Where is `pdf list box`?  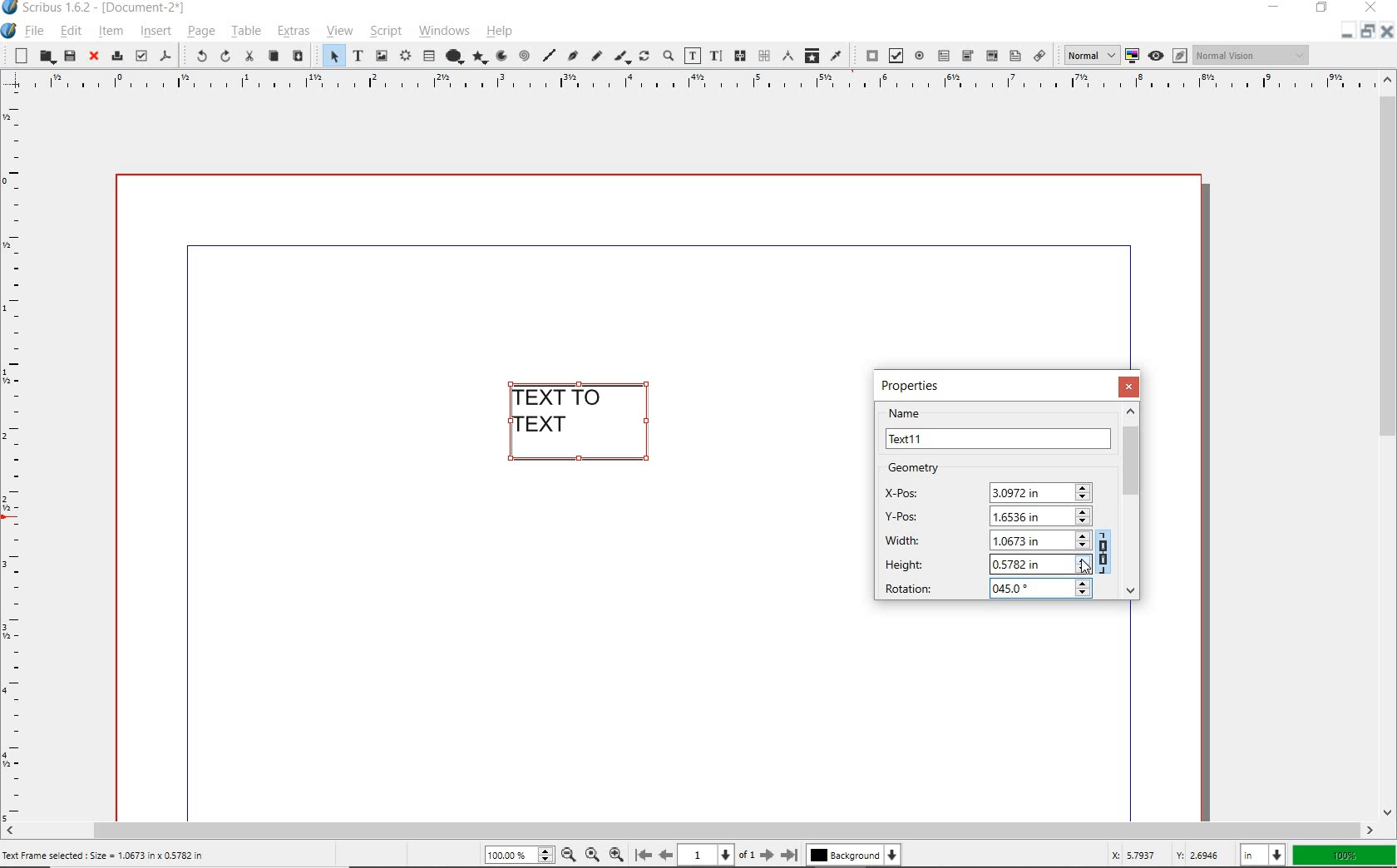
pdf list box is located at coordinates (1014, 57).